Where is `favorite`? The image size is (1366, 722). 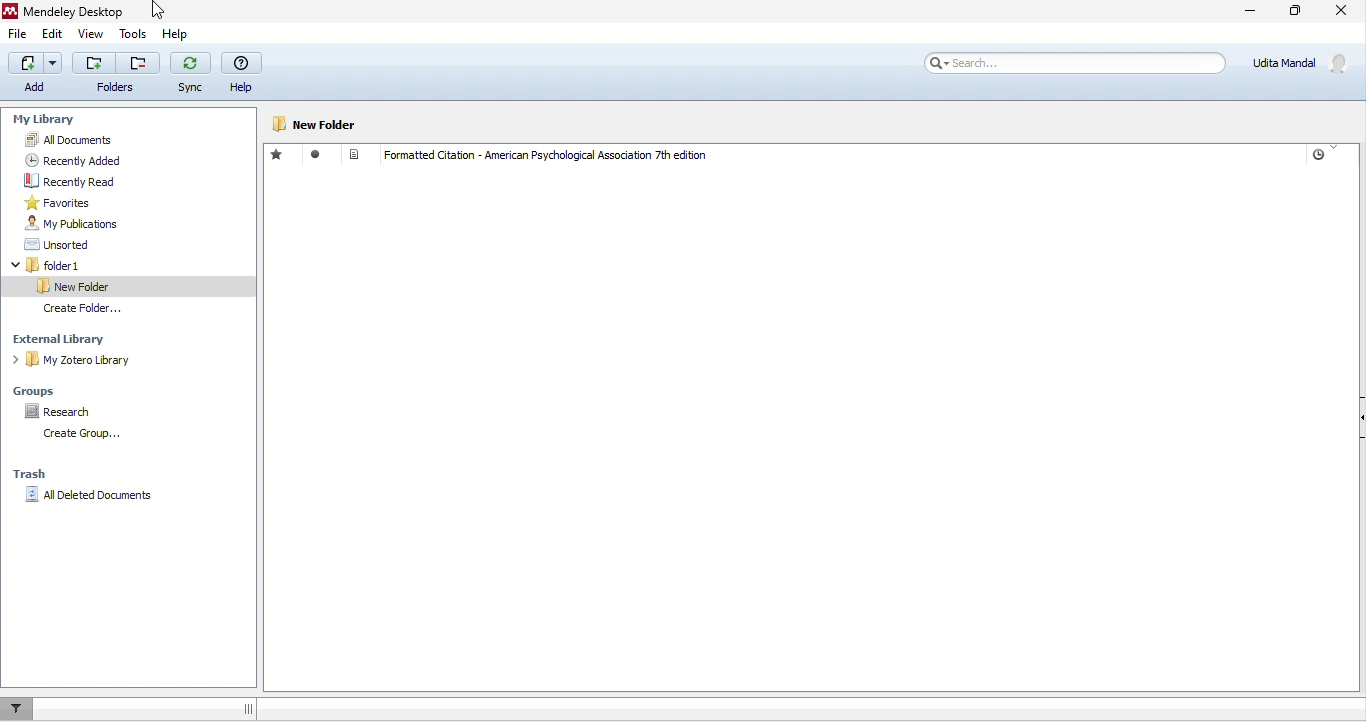 favorite is located at coordinates (280, 155).